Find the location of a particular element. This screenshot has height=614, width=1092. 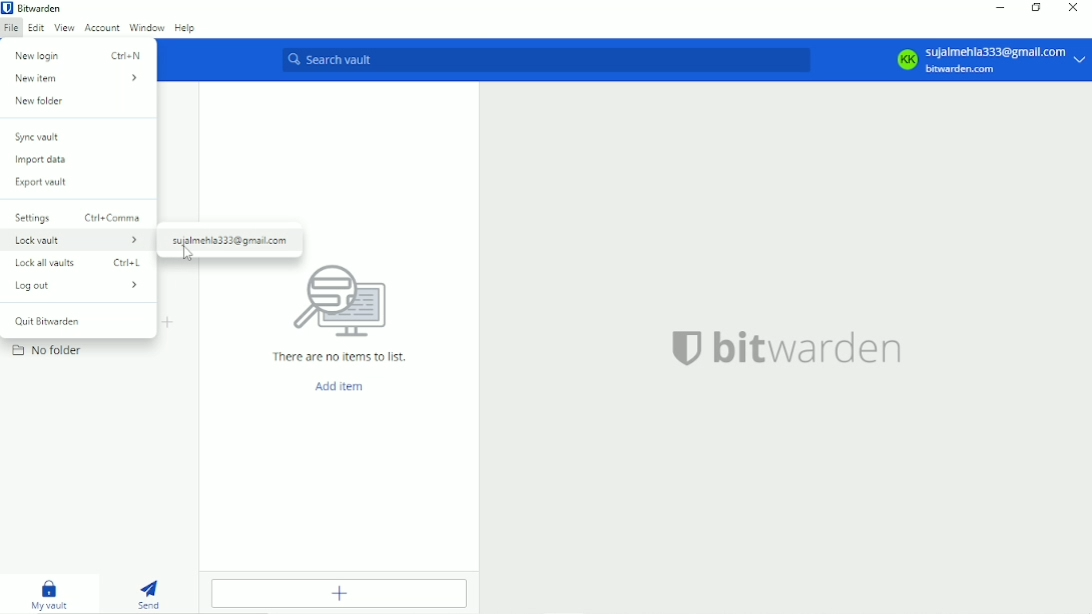

Send is located at coordinates (150, 593).